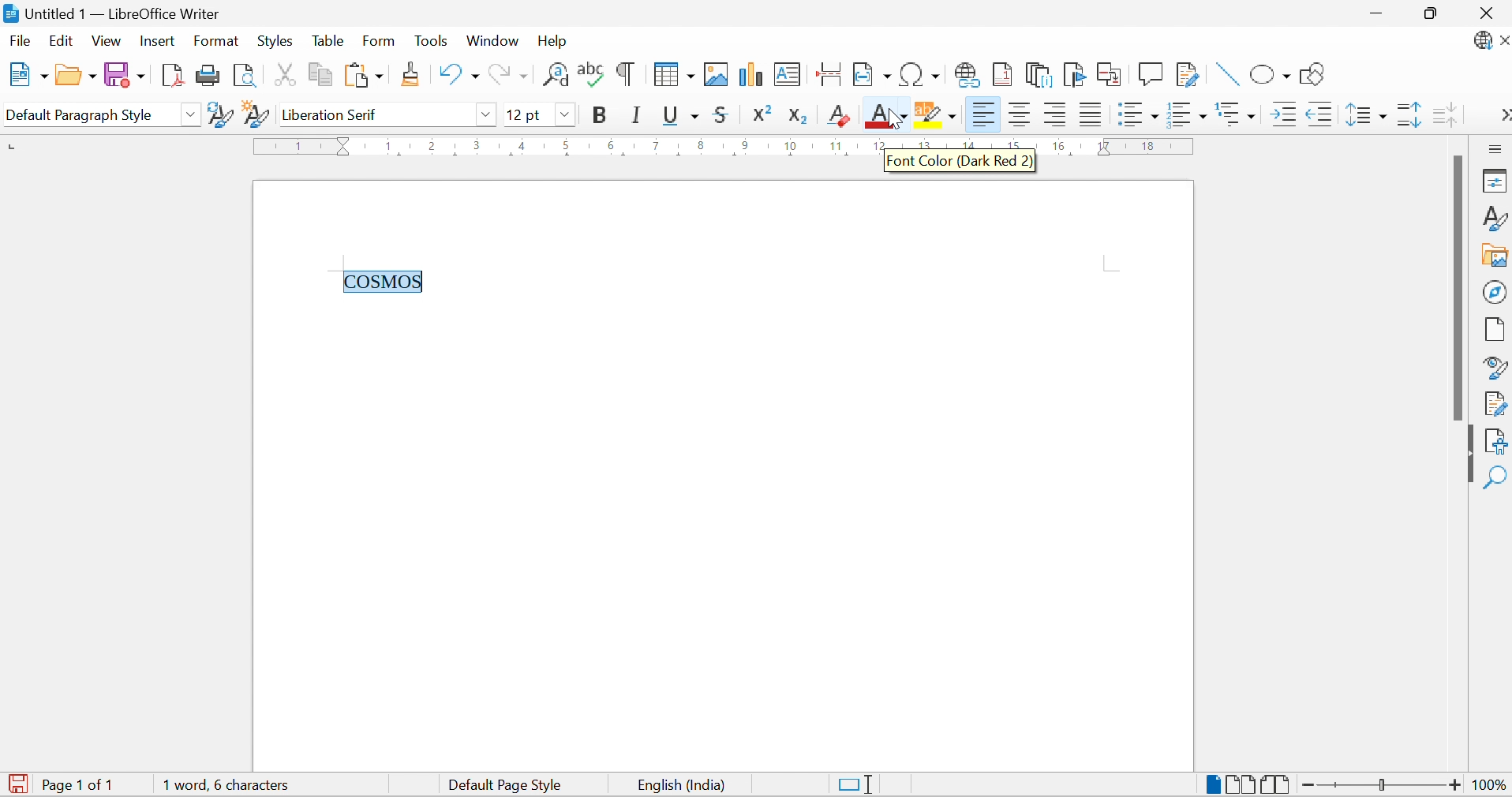 This screenshot has height=797, width=1512. Describe the element at coordinates (274, 40) in the screenshot. I see `Styles` at that location.